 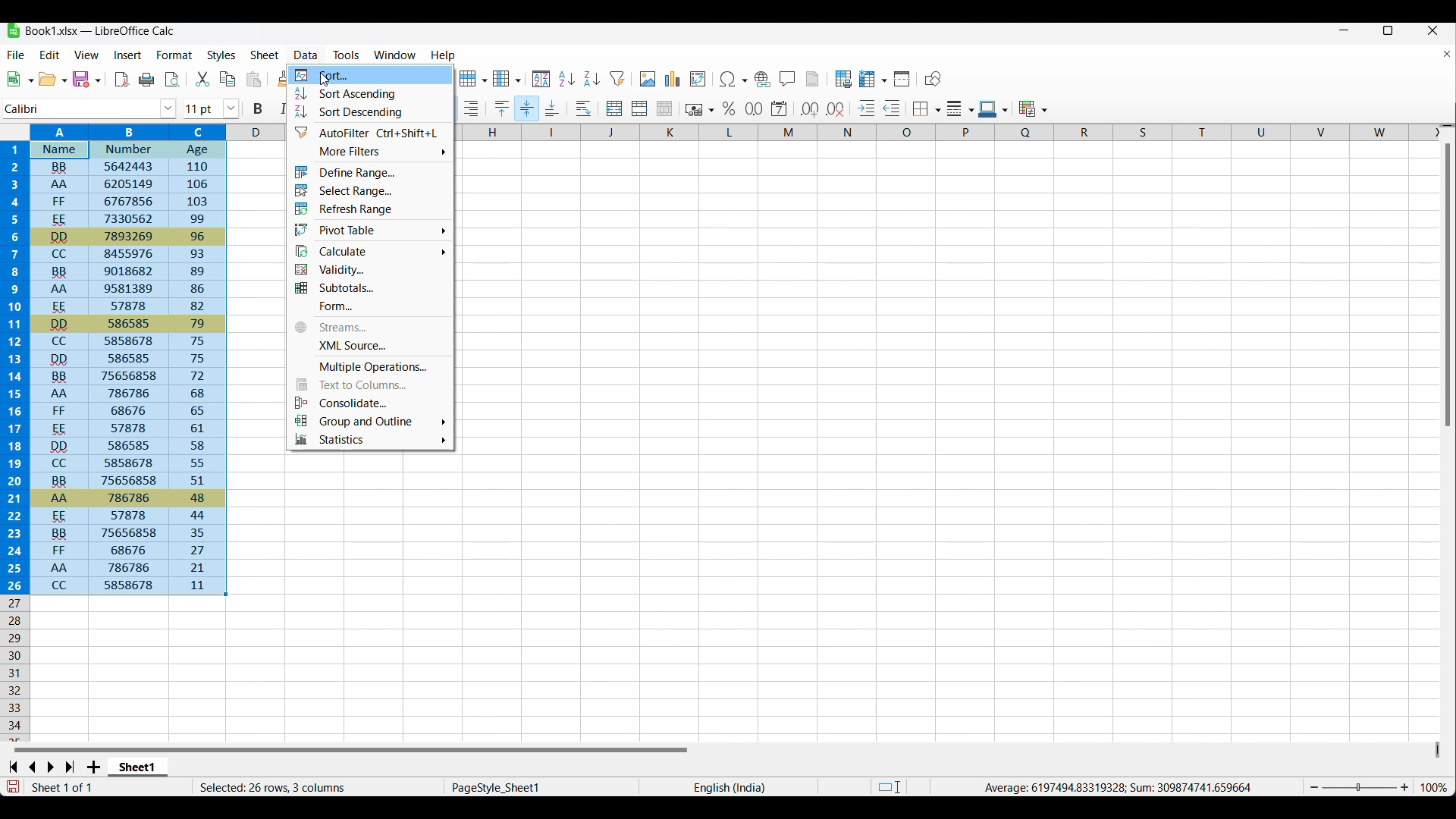 What do you see at coordinates (1404, 787) in the screenshot?
I see `Zoom in` at bounding box center [1404, 787].